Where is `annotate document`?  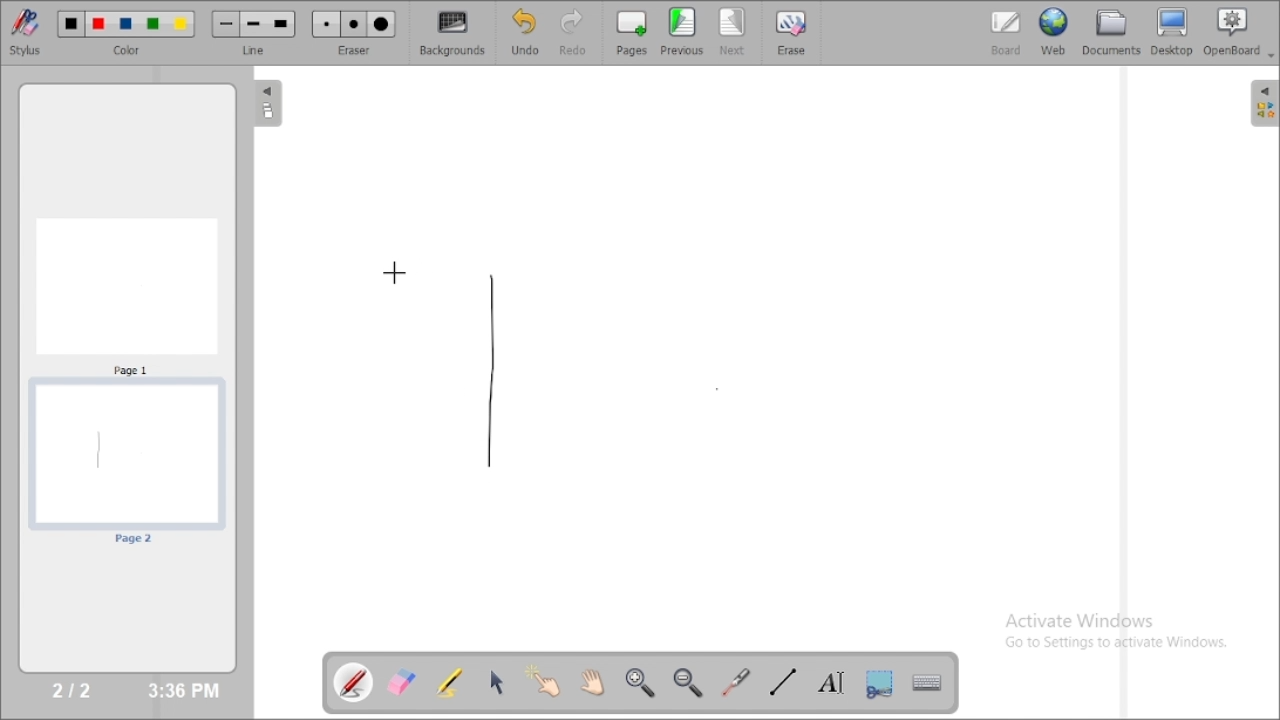
annotate document is located at coordinates (355, 682).